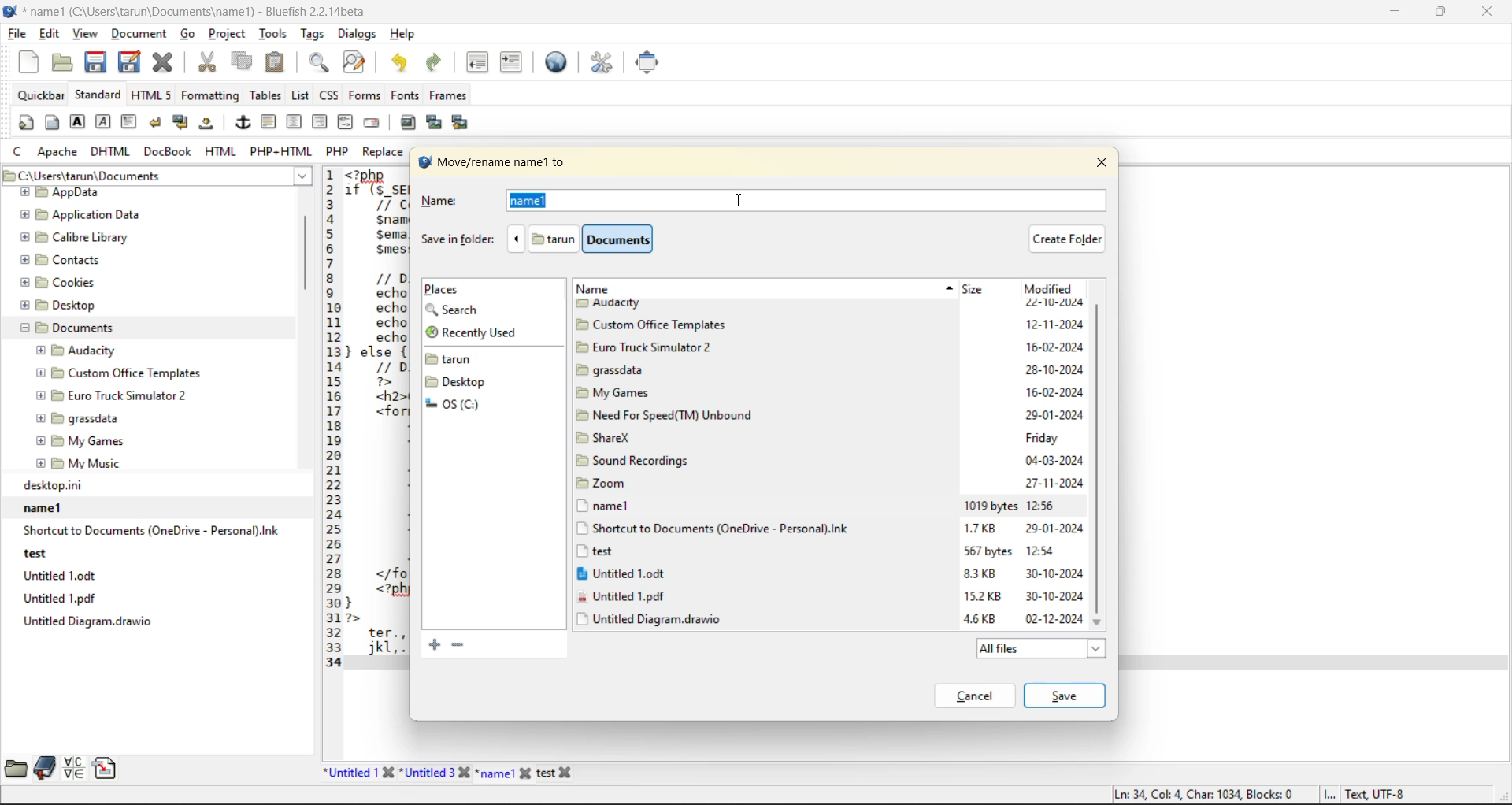 The width and height of the screenshot is (1512, 805). I want to click on add current folder to bookmarks, so click(429, 644).